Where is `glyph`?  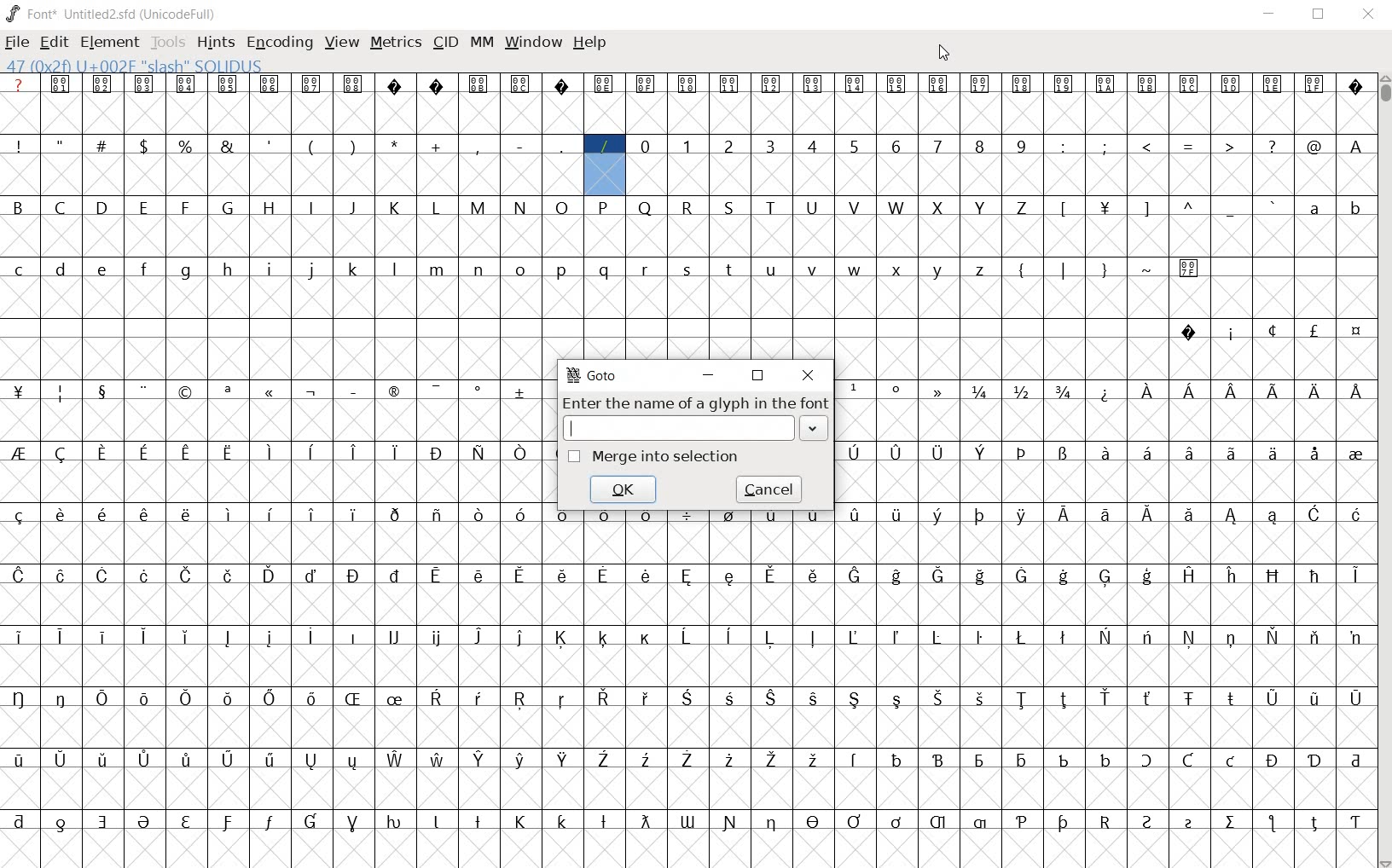 glyph is located at coordinates (61, 759).